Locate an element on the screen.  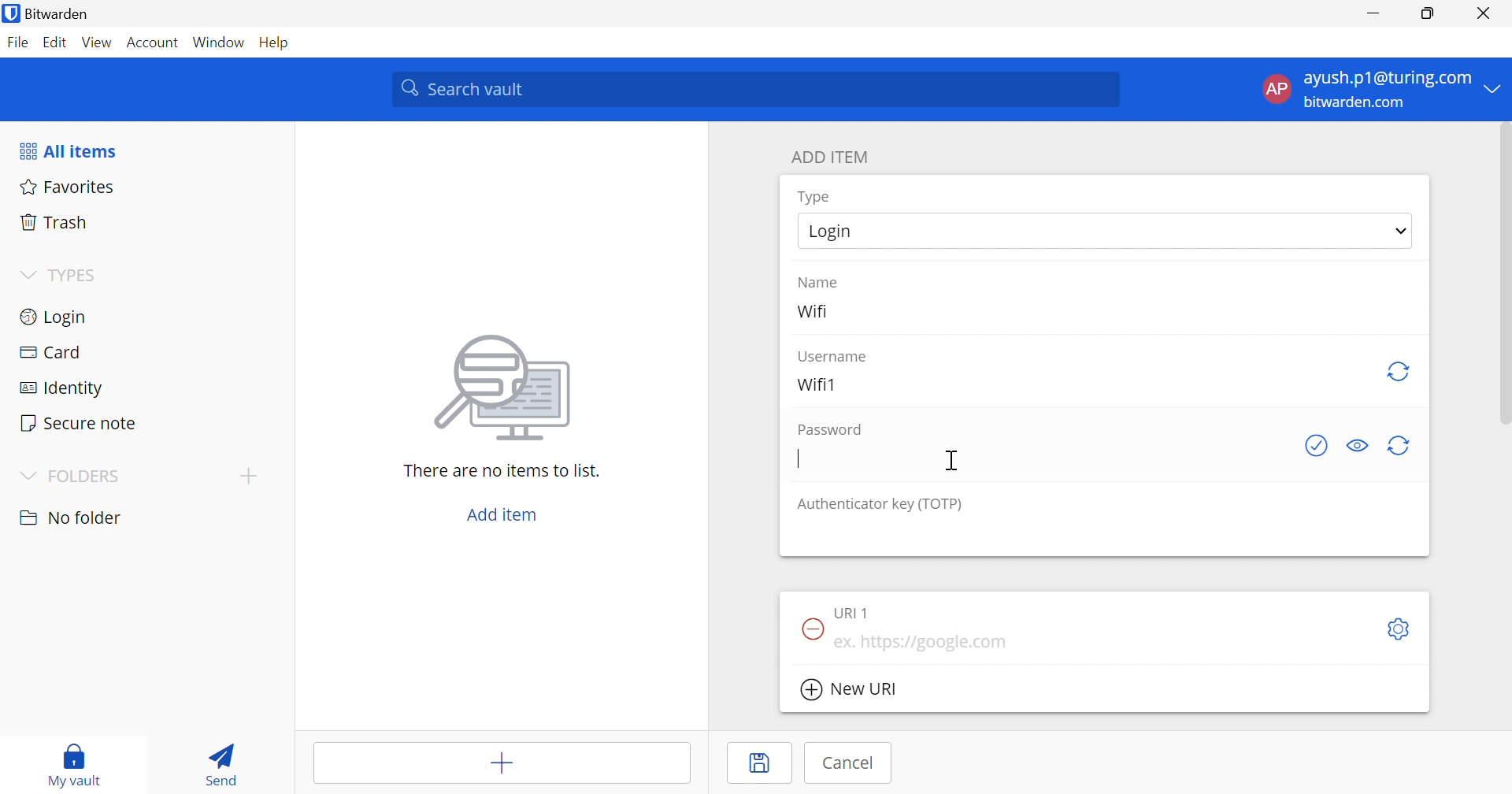
ex. https://google.com is located at coordinates (922, 643).